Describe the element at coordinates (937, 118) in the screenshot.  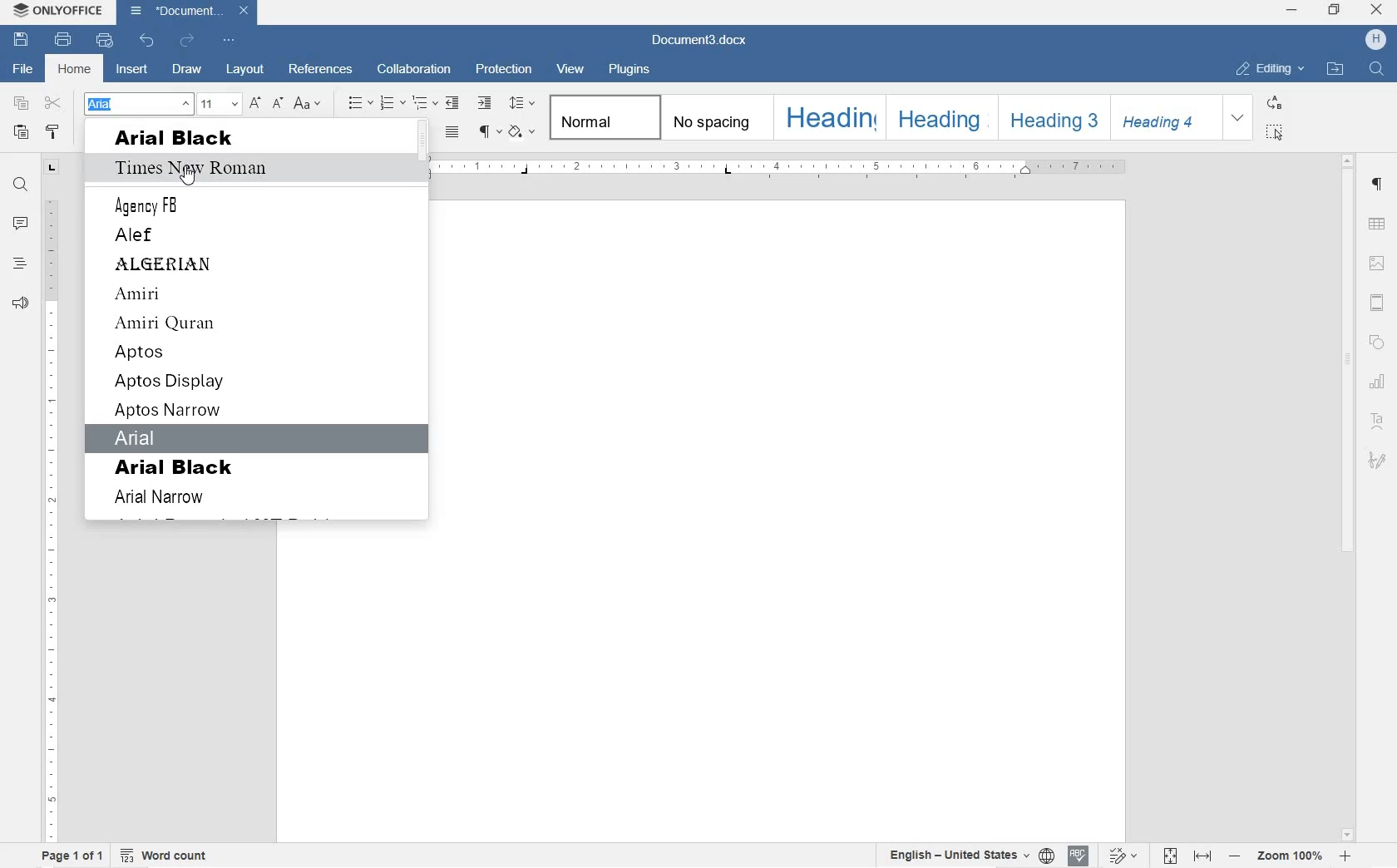
I see `HEADING 2` at that location.